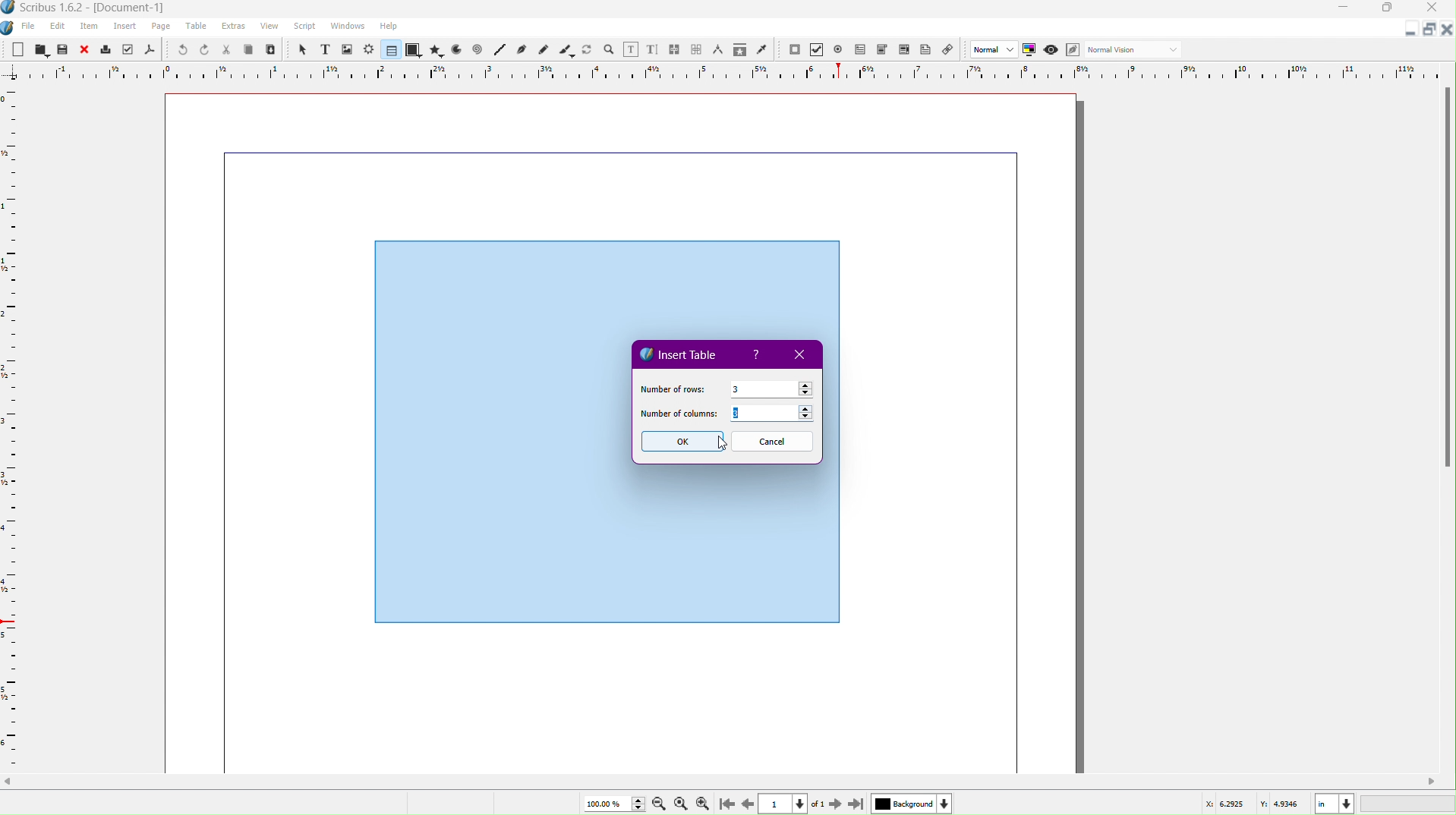  What do you see at coordinates (125, 27) in the screenshot?
I see `Insert` at bounding box center [125, 27].